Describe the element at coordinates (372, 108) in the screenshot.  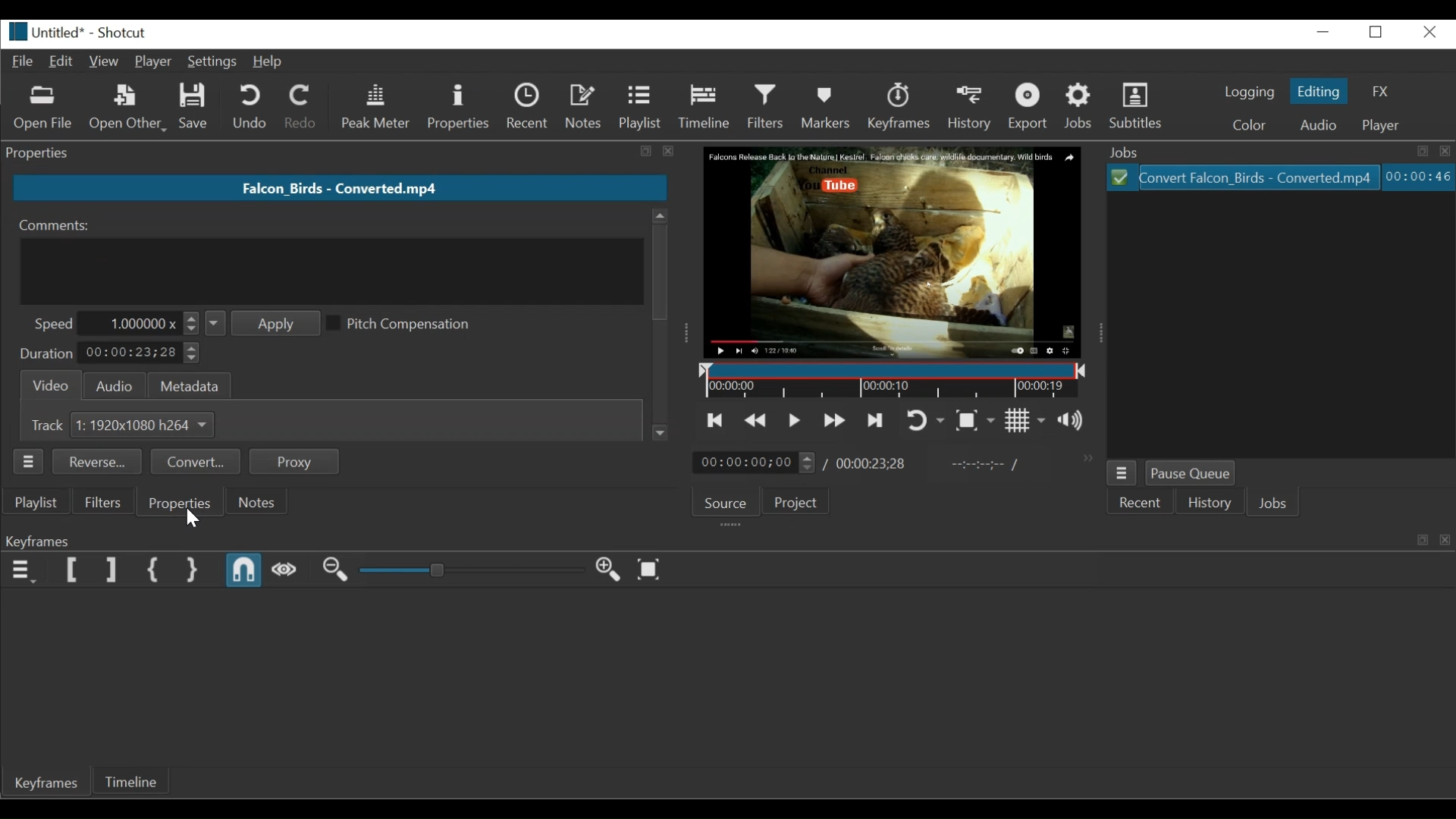
I see `Peak Meter` at that location.